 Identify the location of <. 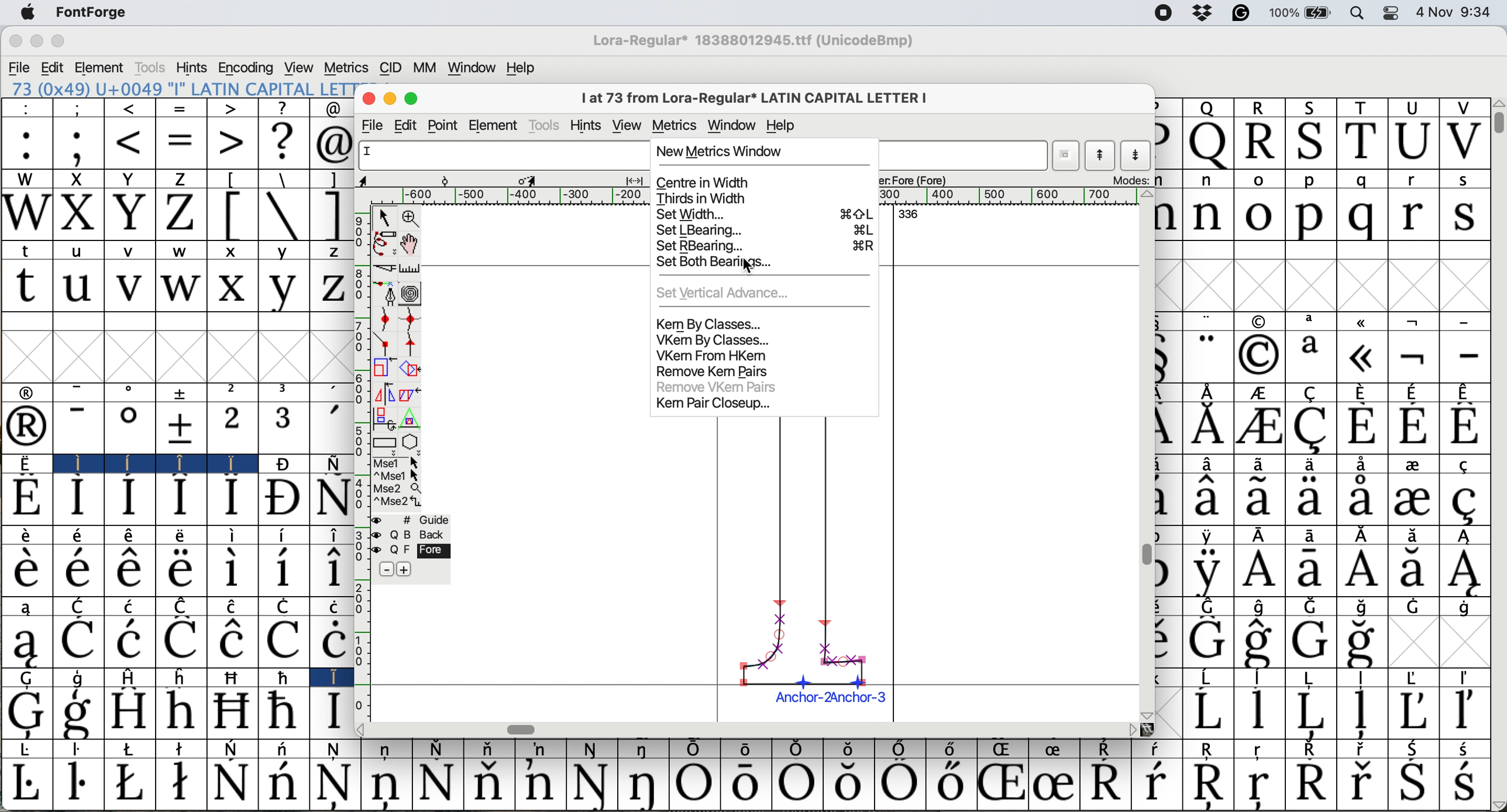
(130, 144).